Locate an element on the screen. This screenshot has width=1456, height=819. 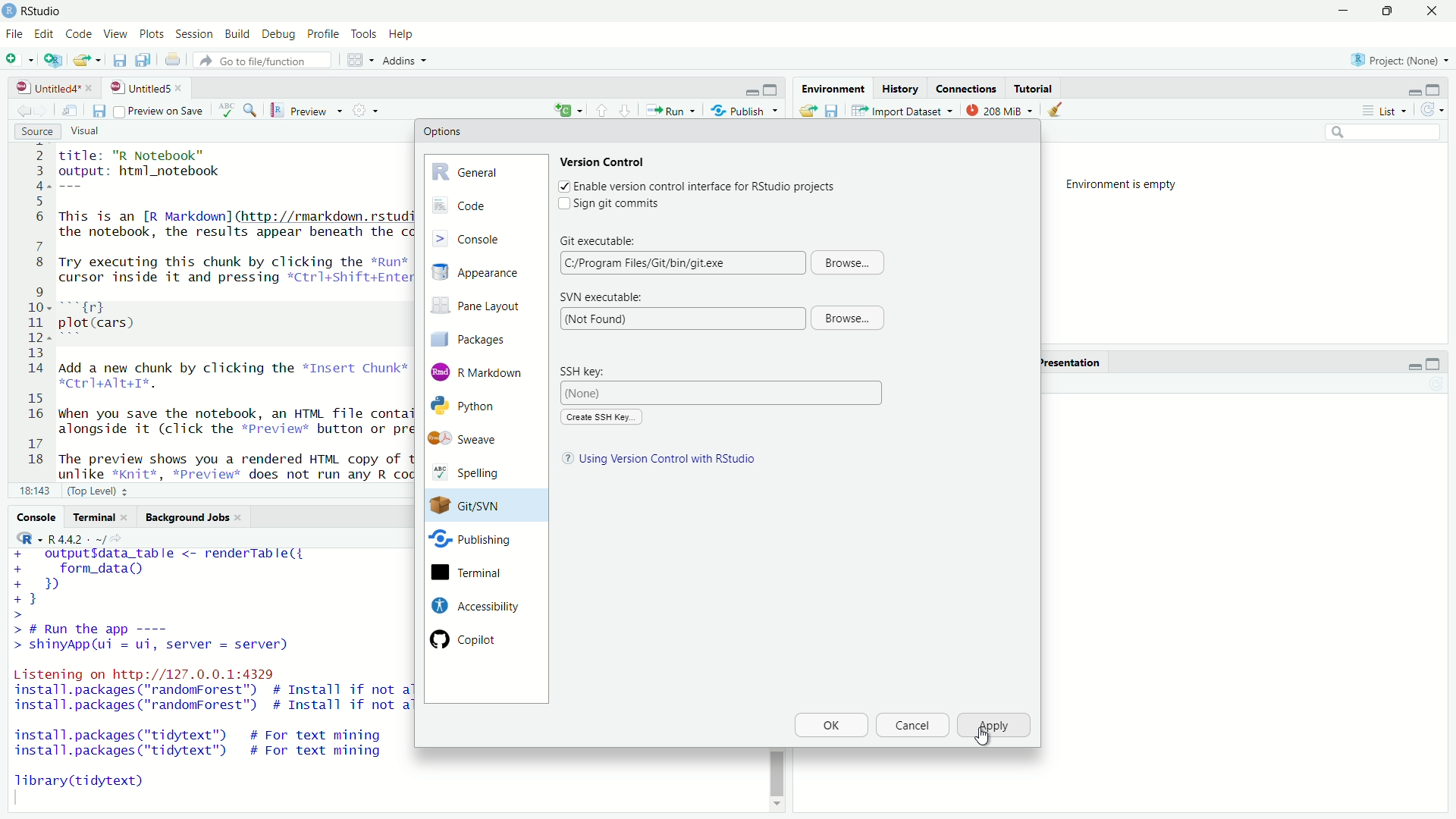
ABC is located at coordinates (237, 110).